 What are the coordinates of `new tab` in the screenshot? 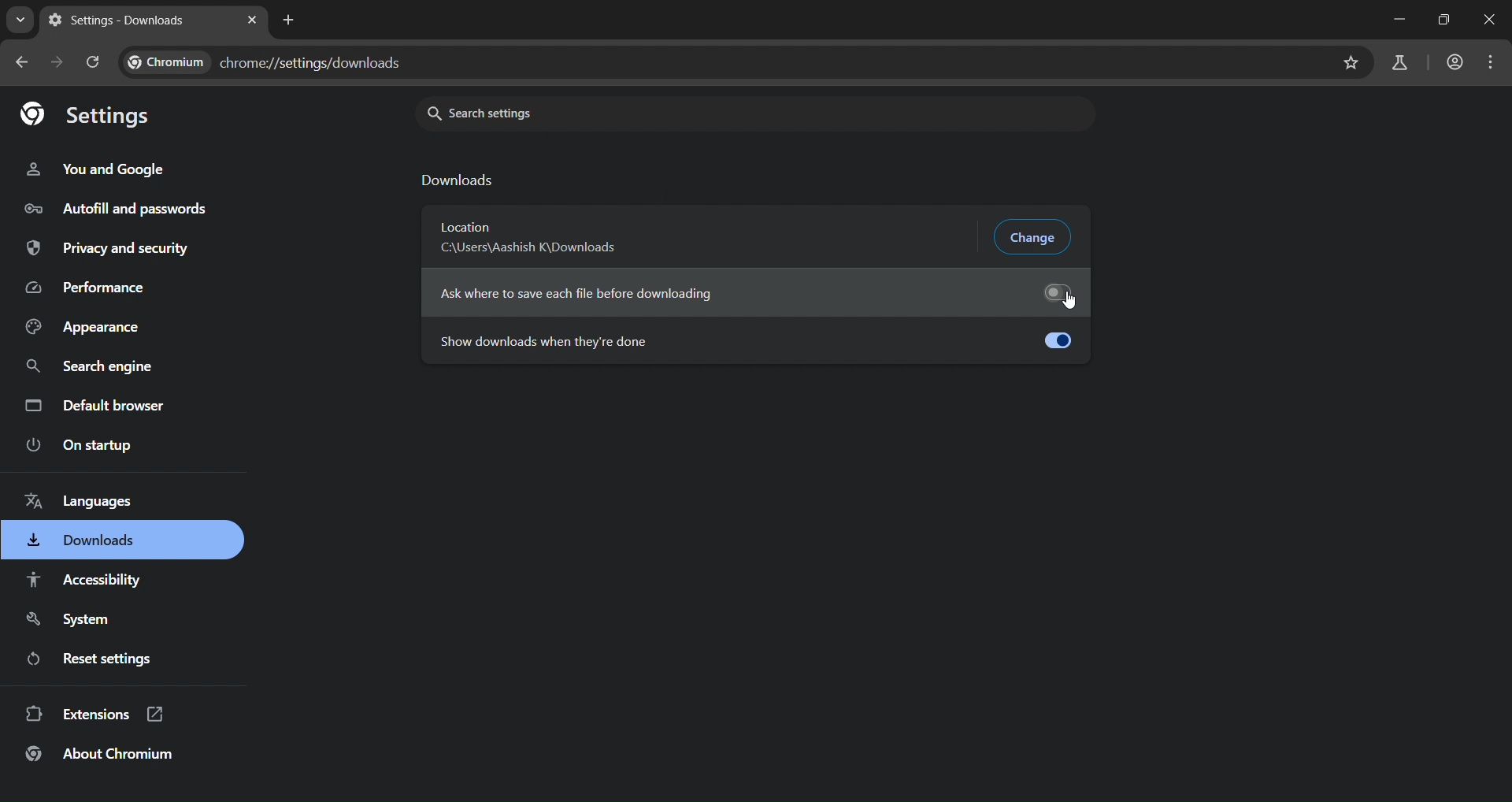 It's located at (292, 19).